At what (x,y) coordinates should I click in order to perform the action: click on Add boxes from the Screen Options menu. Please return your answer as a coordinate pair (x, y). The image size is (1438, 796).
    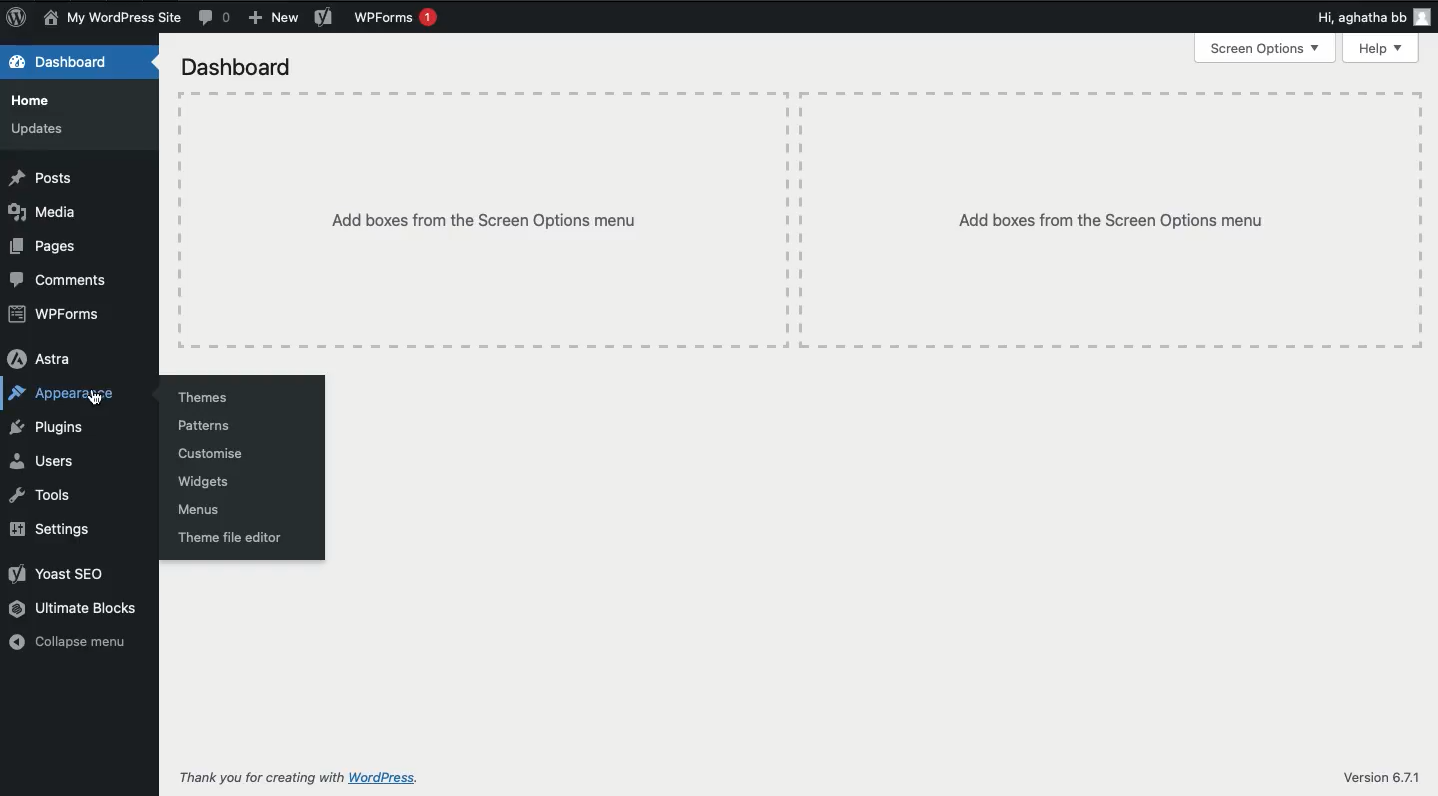
    Looking at the image, I should click on (482, 221).